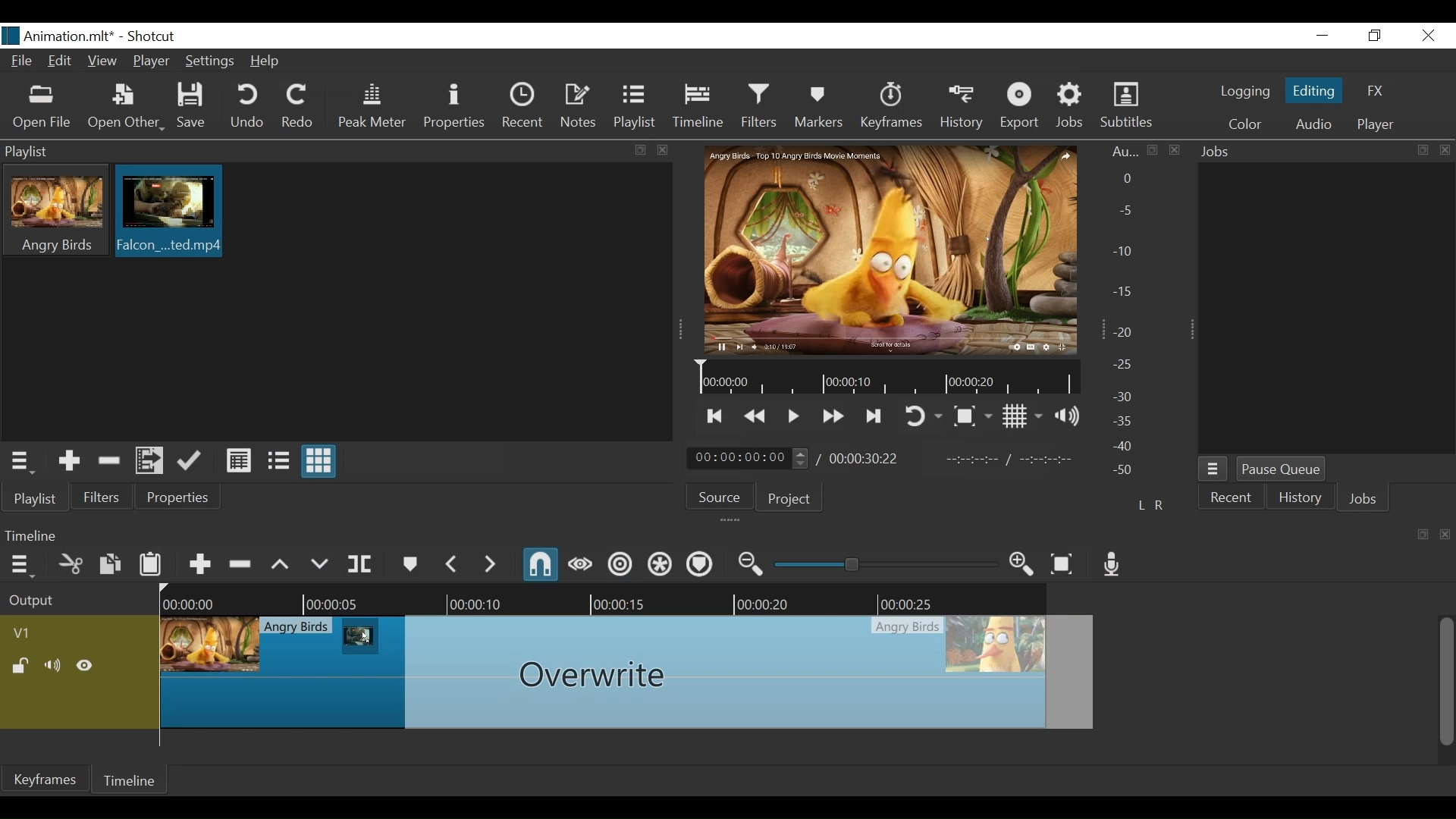  I want to click on Markers, so click(820, 107).